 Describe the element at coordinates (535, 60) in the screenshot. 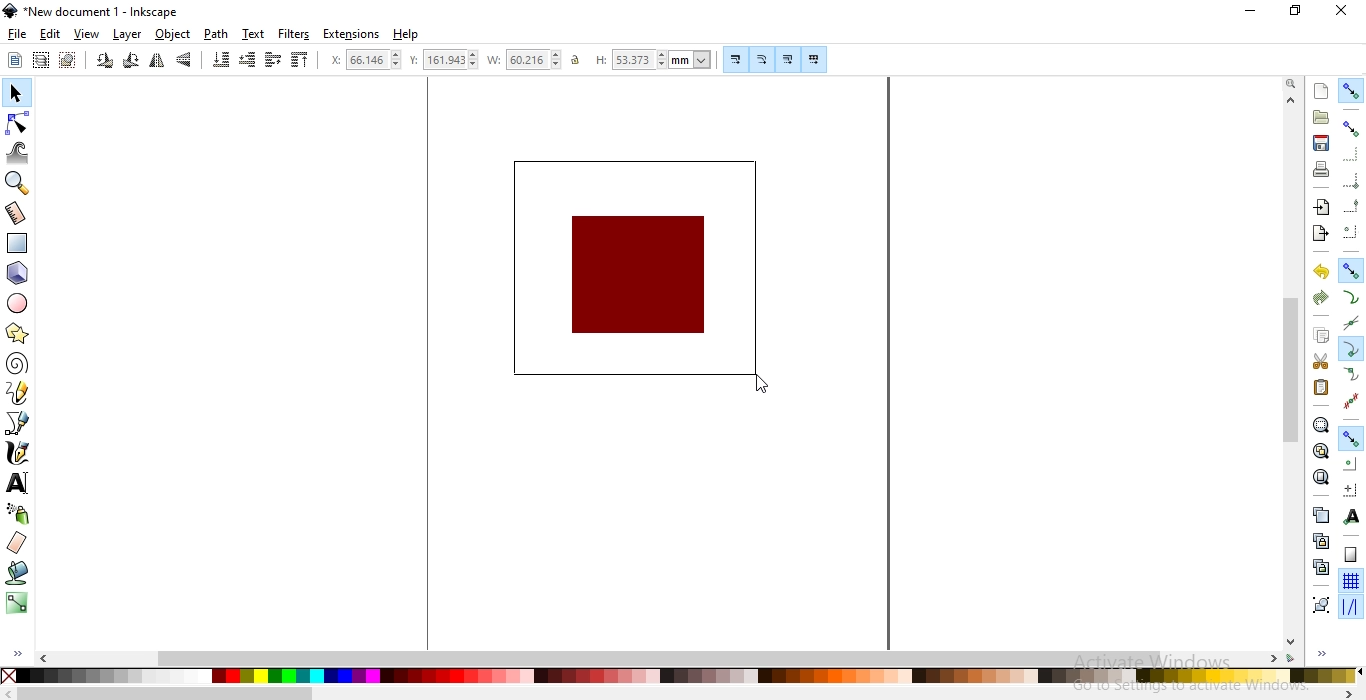

I see `60.216` at that location.